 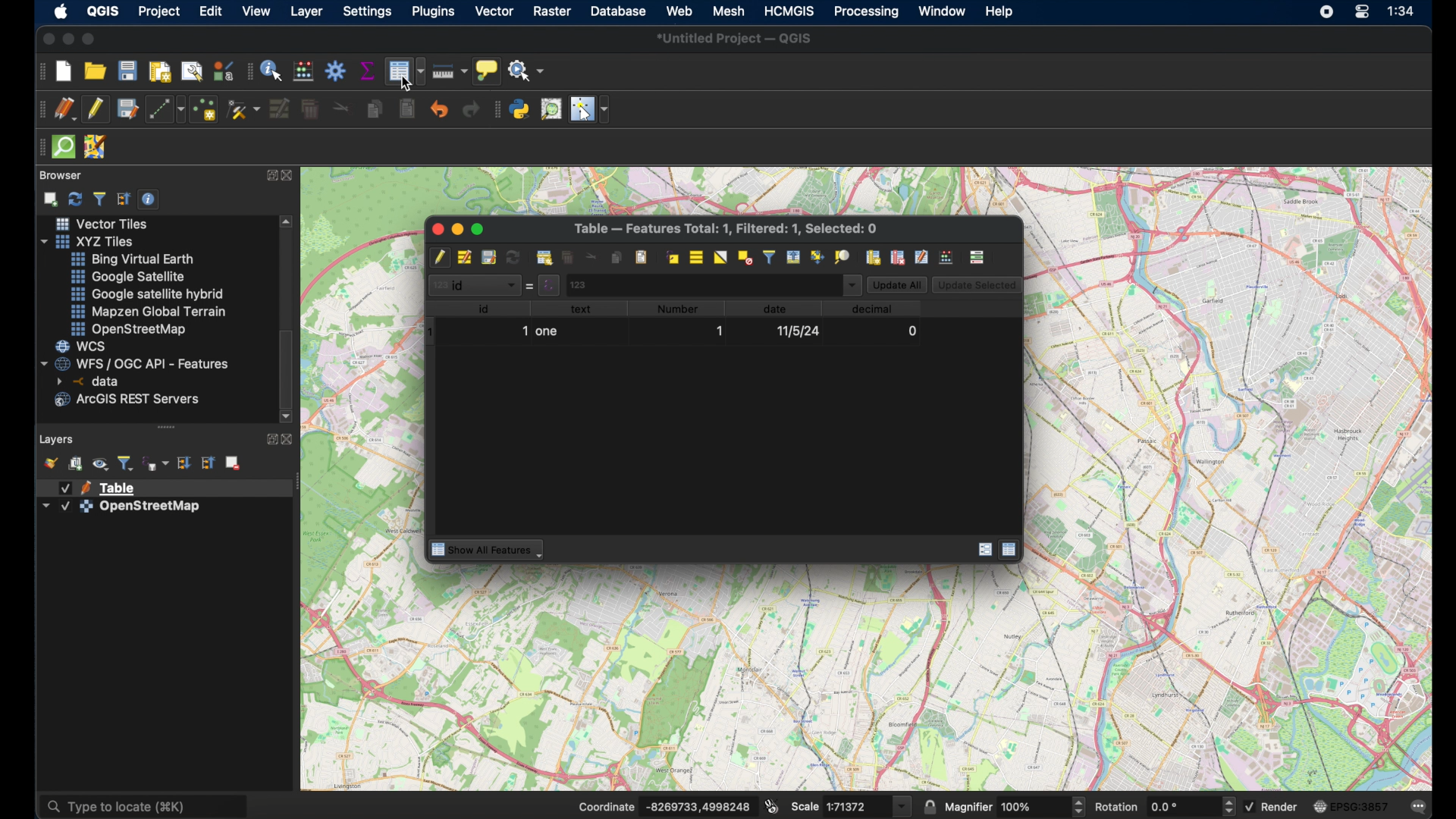 What do you see at coordinates (897, 284) in the screenshot?
I see `update all` at bounding box center [897, 284].